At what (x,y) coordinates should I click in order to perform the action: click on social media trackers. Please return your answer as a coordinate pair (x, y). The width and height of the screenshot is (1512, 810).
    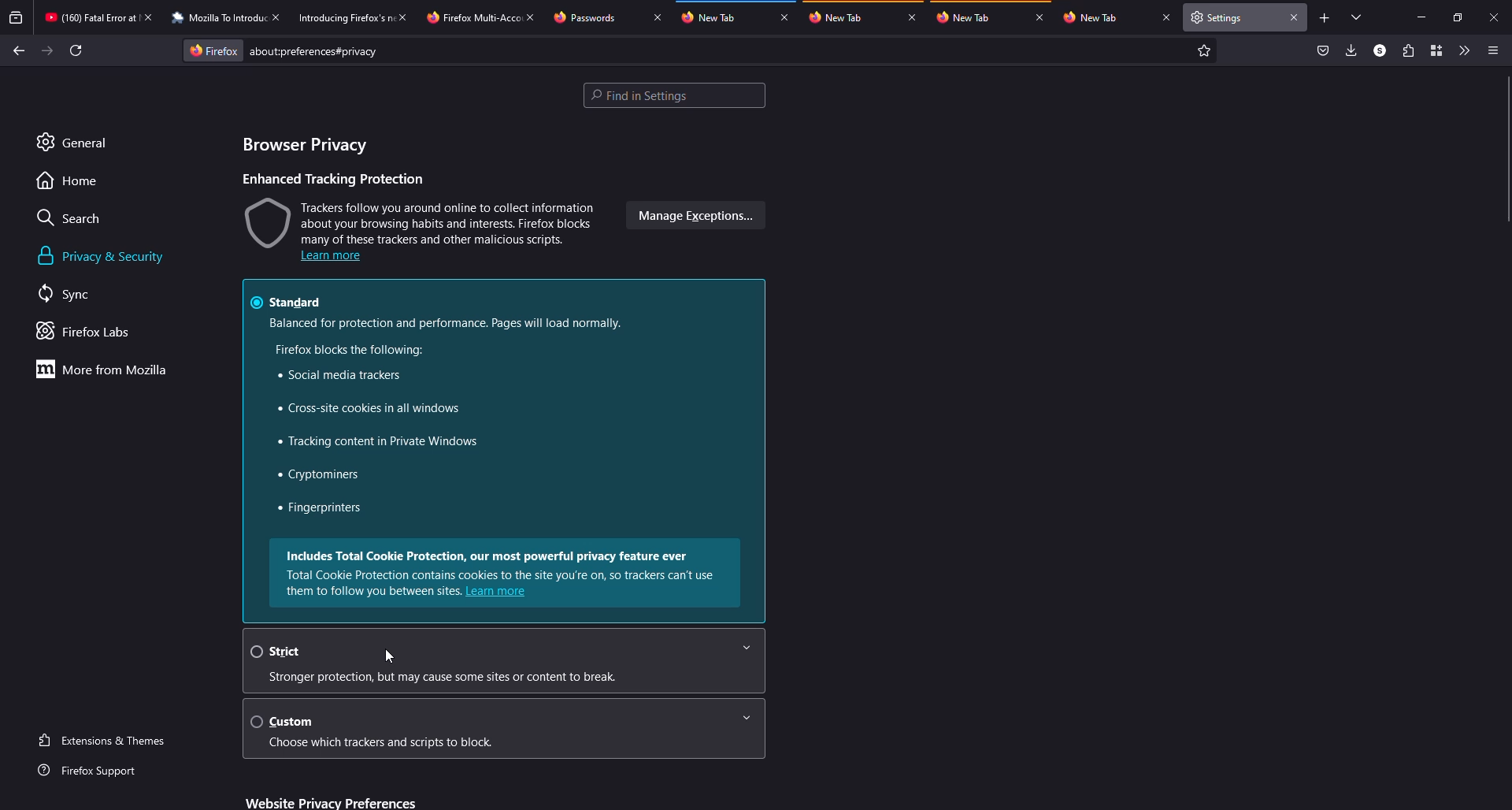
    Looking at the image, I should click on (339, 373).